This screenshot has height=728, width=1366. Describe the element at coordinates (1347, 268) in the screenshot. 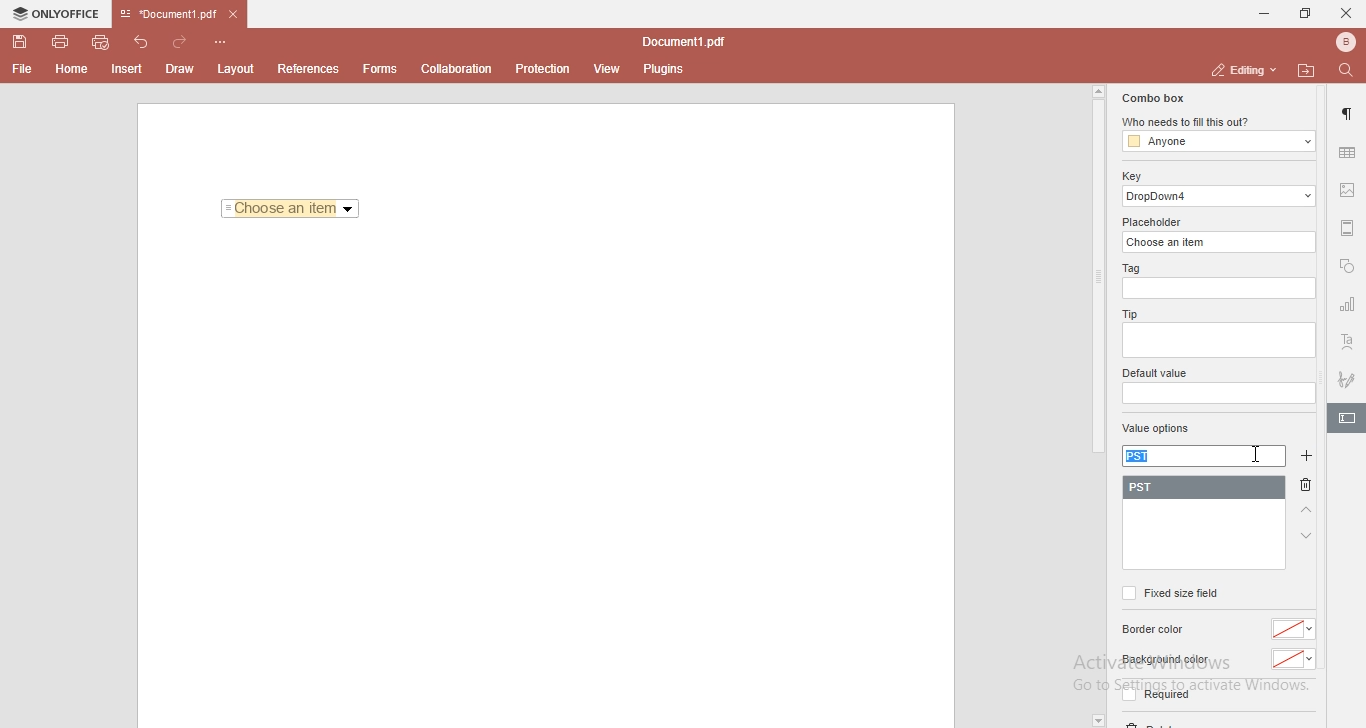

I see `shapes` at that location.